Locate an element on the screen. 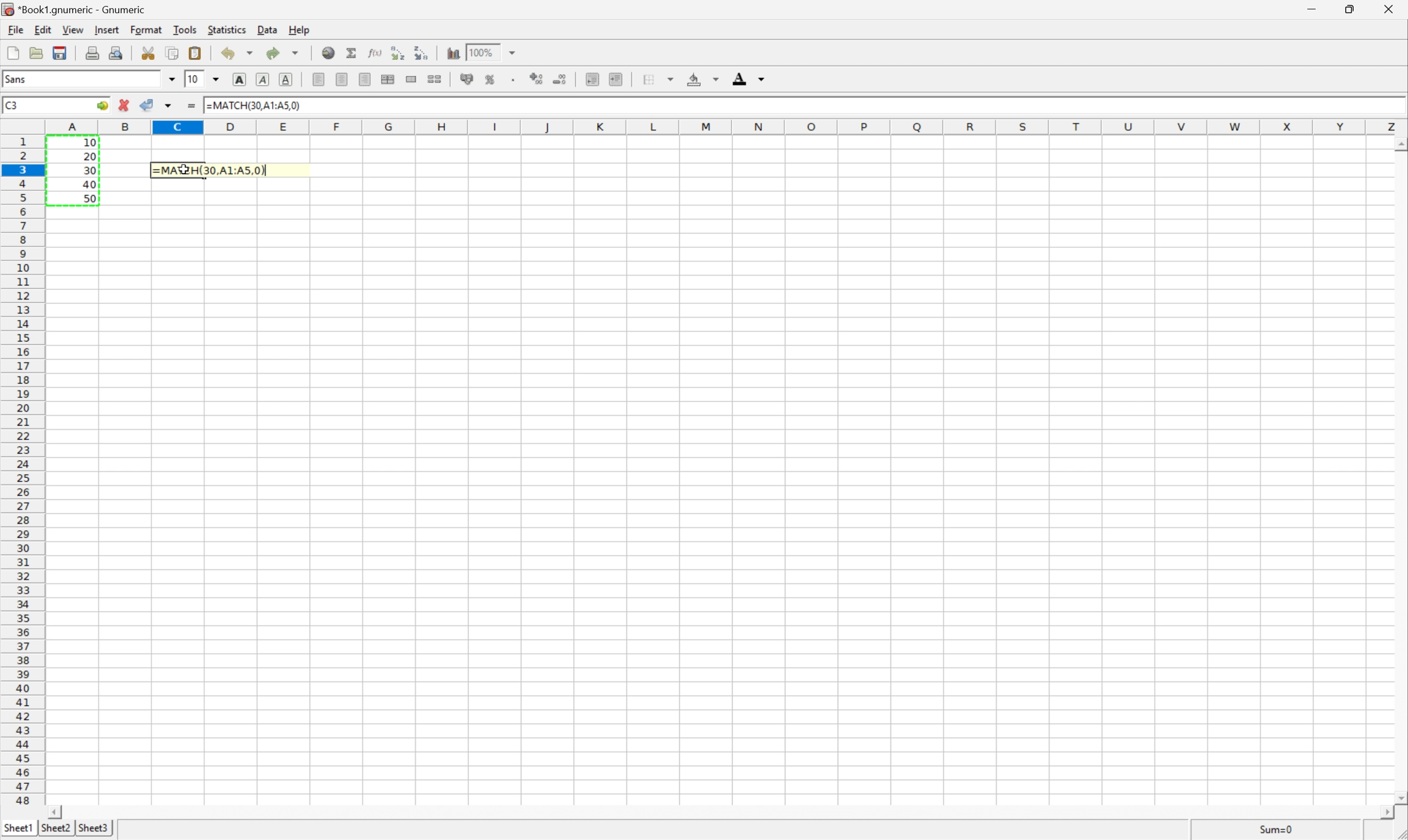 This screenshot has width=1408, height=840. =MATCH(30,A1:A5,0) is located at coordinates (211, 166).